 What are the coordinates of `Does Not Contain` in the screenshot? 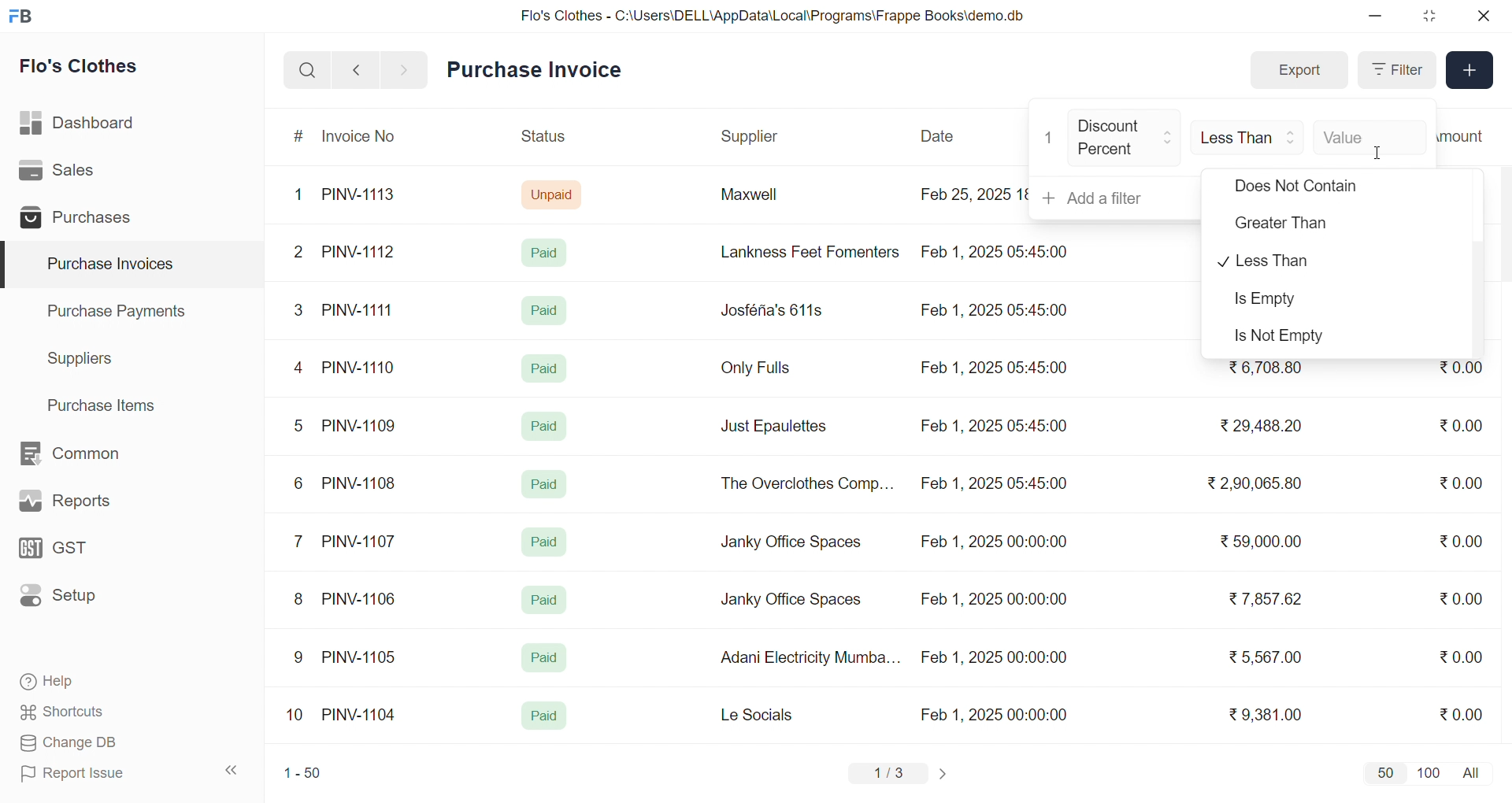 It's located at (1296, 189).